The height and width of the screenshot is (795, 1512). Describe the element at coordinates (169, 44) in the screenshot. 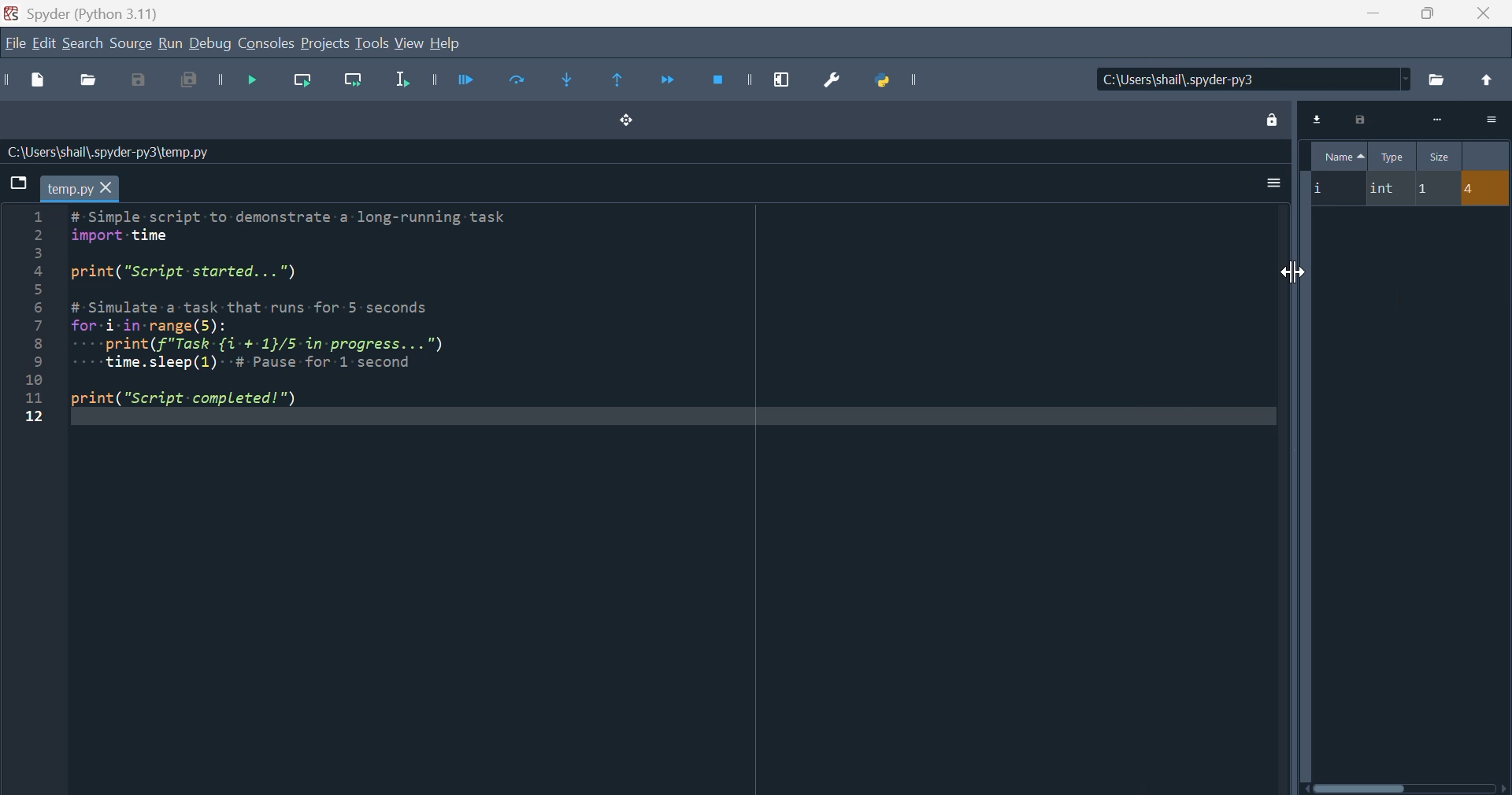

I see `run` at that location.